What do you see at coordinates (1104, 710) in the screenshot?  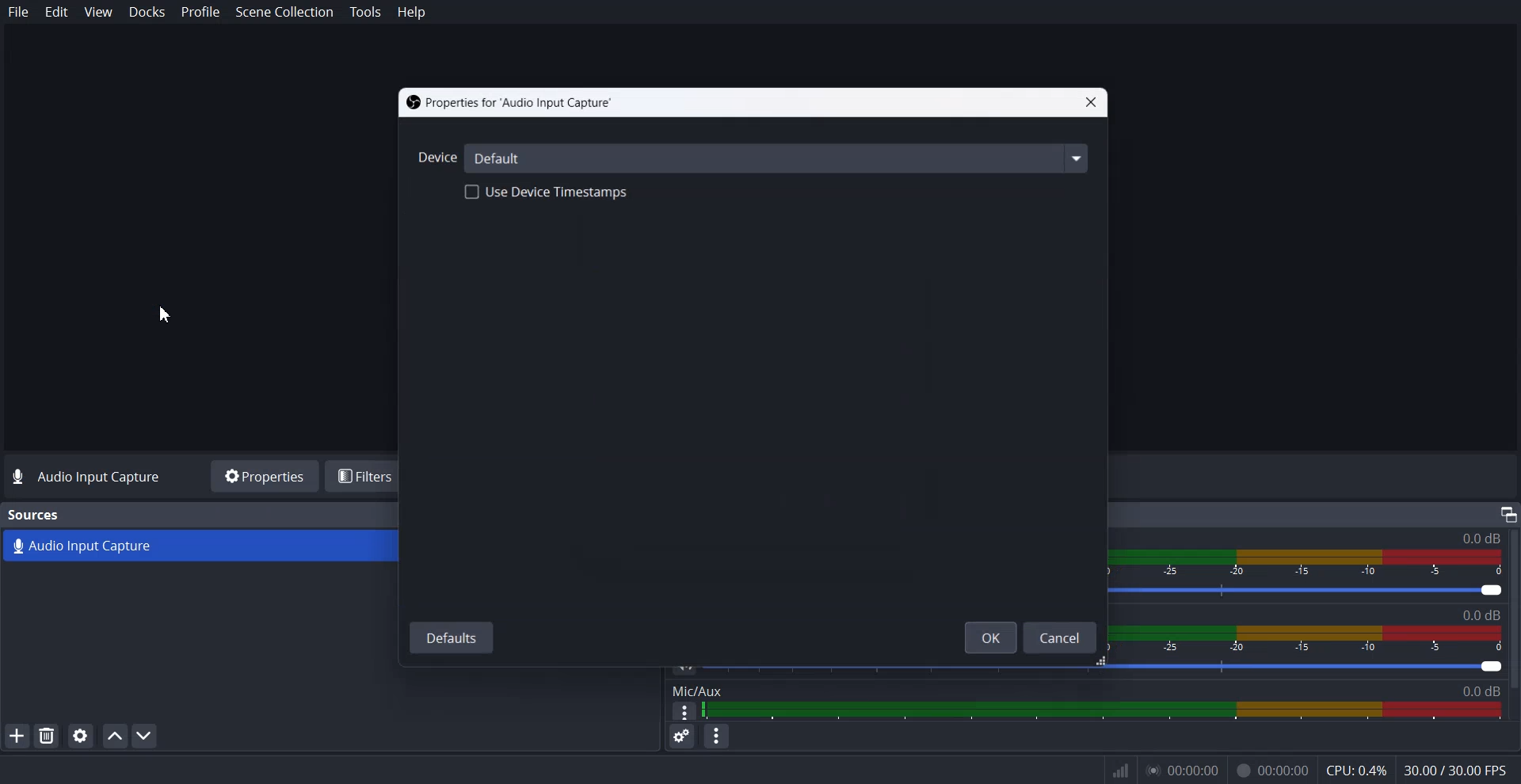 I see `Sound Panel` at bounding box center [1104, 710].